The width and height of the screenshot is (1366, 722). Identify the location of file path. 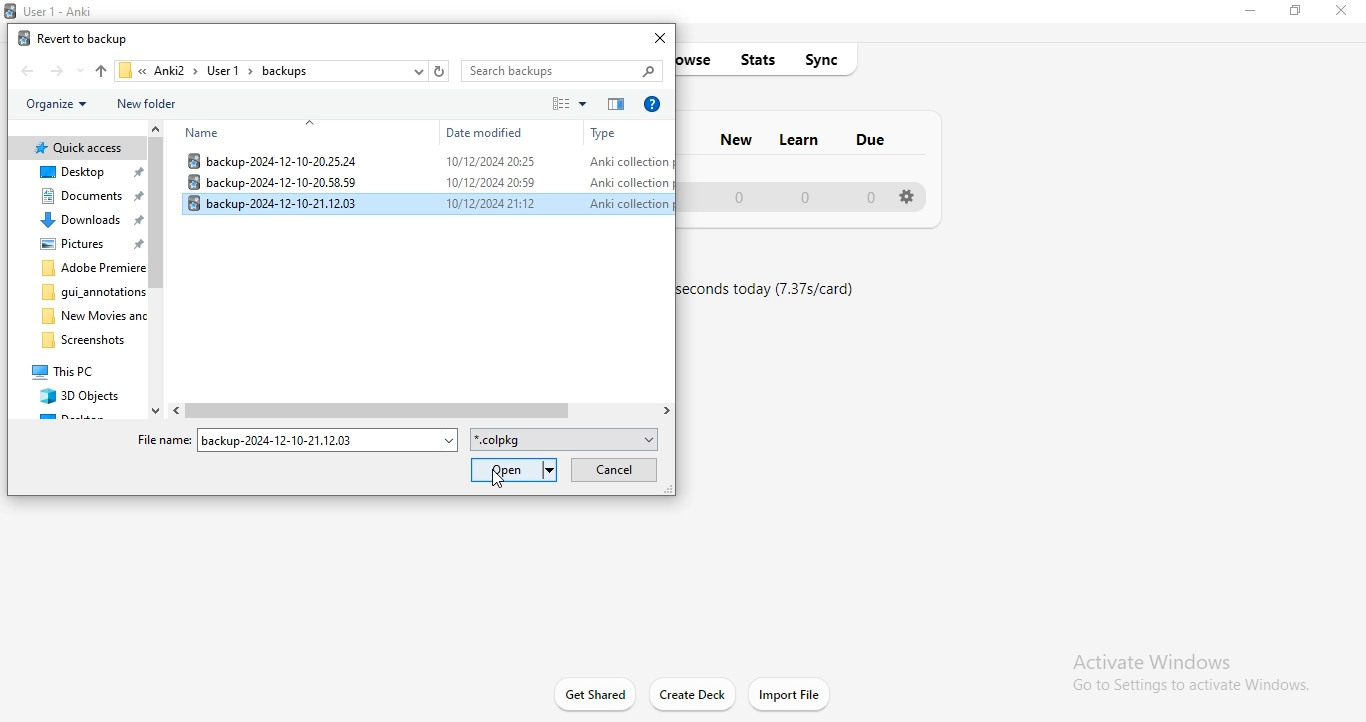
(281, 70).